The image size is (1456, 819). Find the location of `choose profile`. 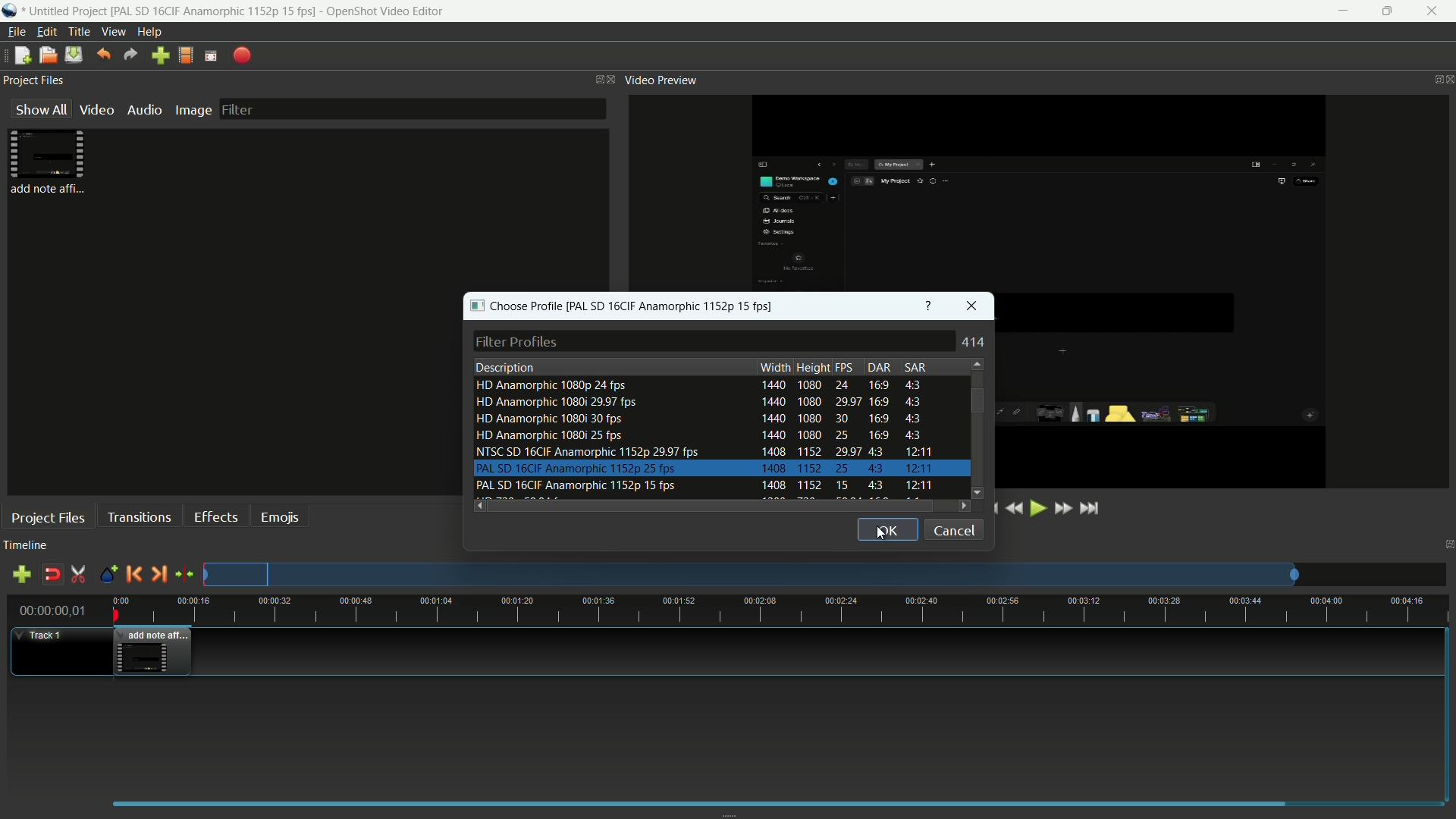

choose profile is located at coordinates (513, 306).